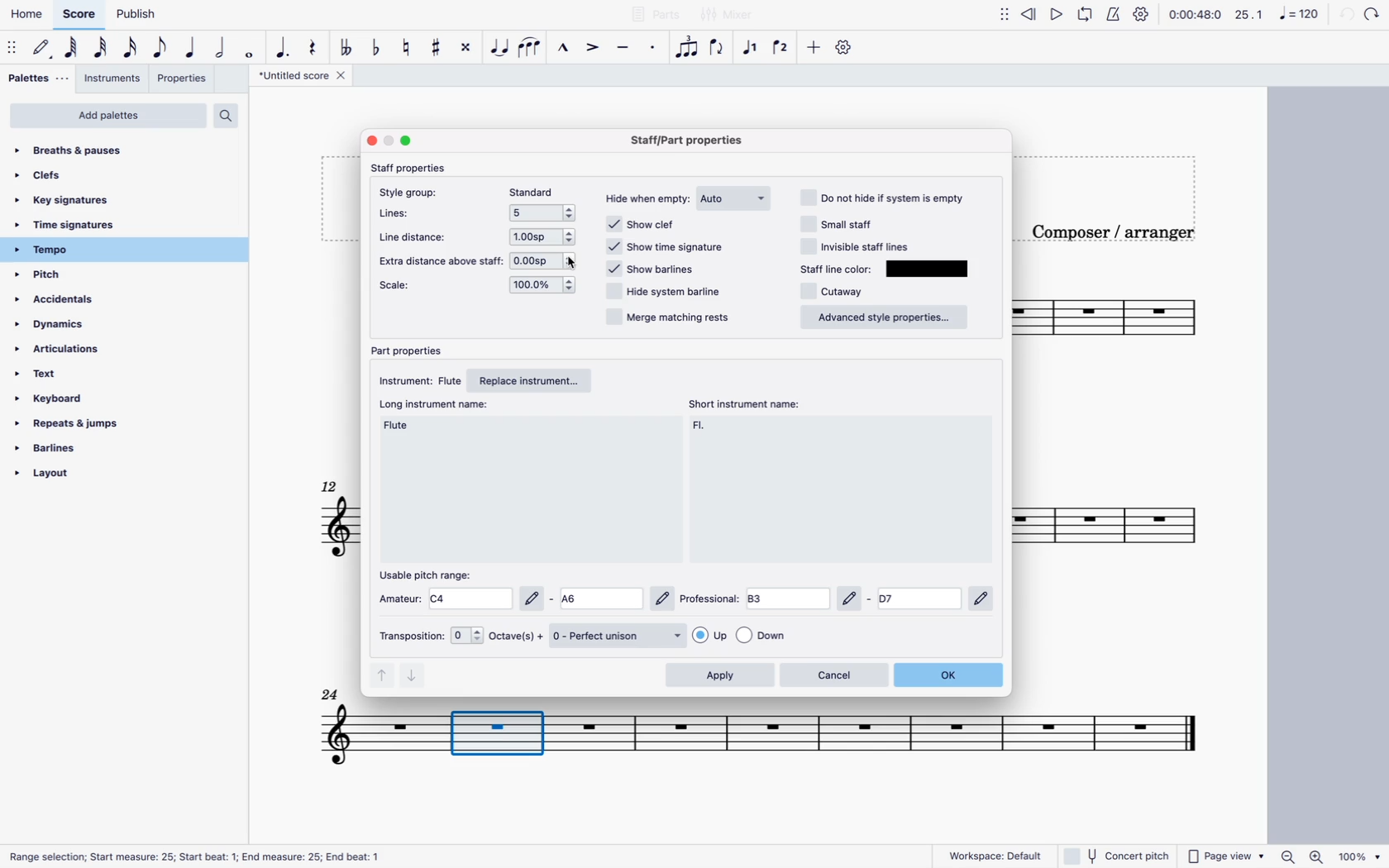  Describe the element at coordinates (29, 16) in the screenshot. I see `home` at that location.